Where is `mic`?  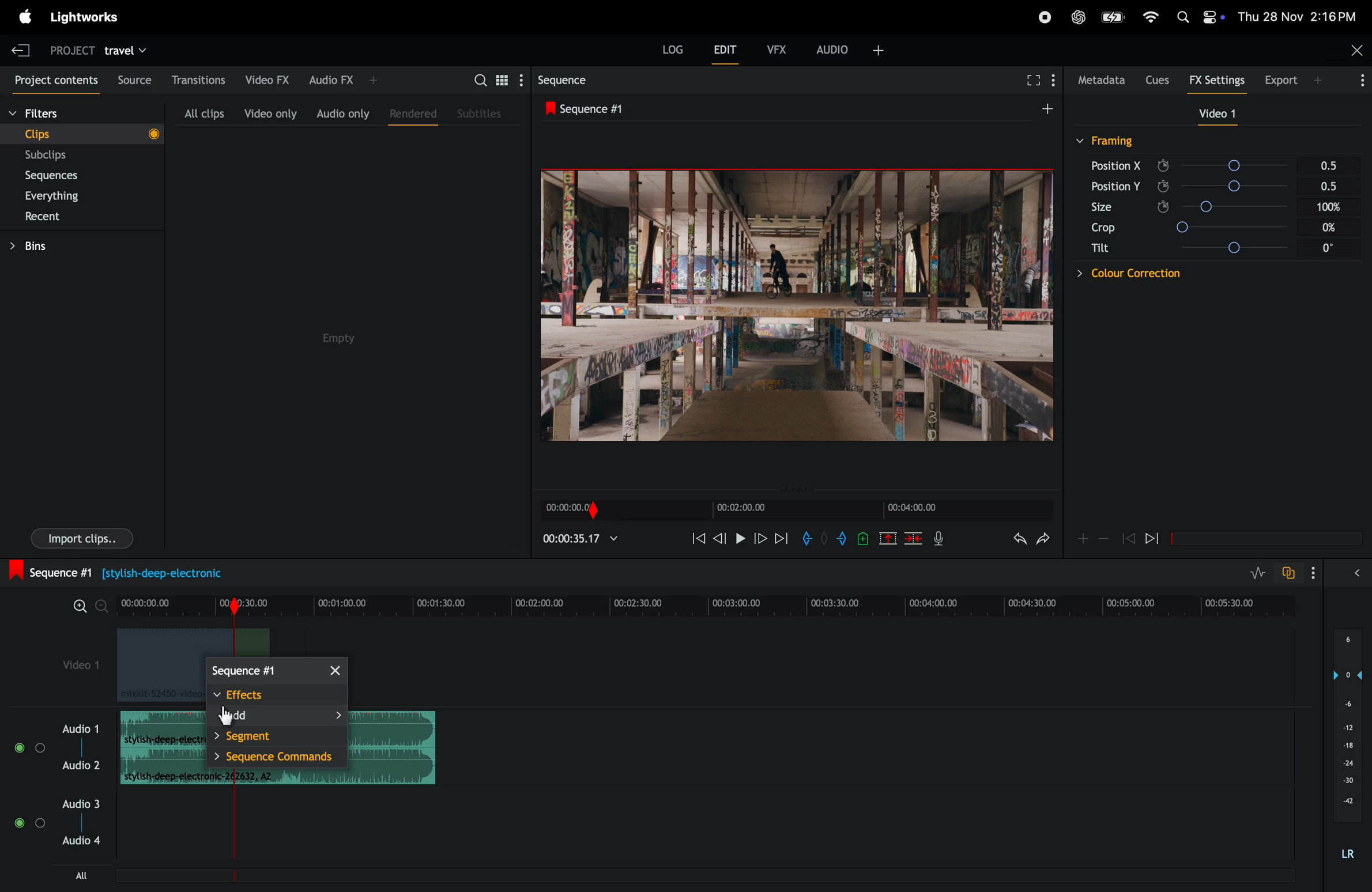 mic is located at coordinates (942, 538).